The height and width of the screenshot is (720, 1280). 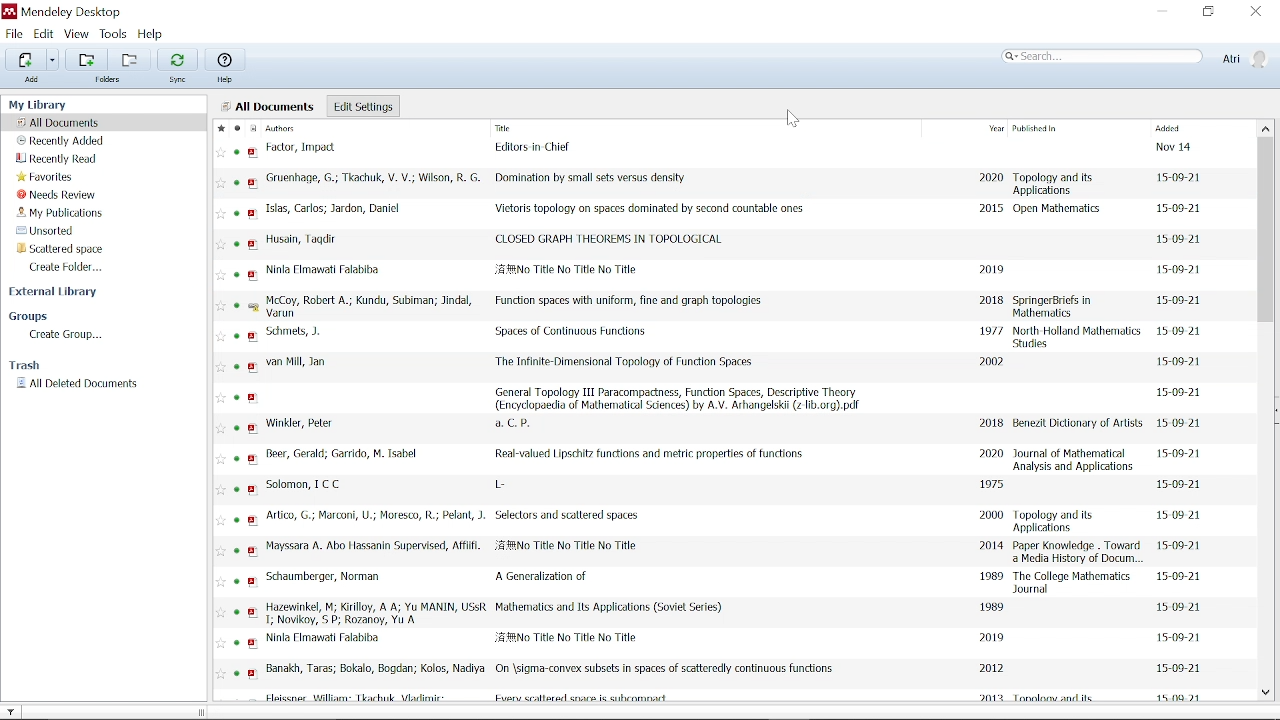 What do you see at coordinates (1103, 57) in the screenshot?
I see `Search` at bounding box center [1103, 57].